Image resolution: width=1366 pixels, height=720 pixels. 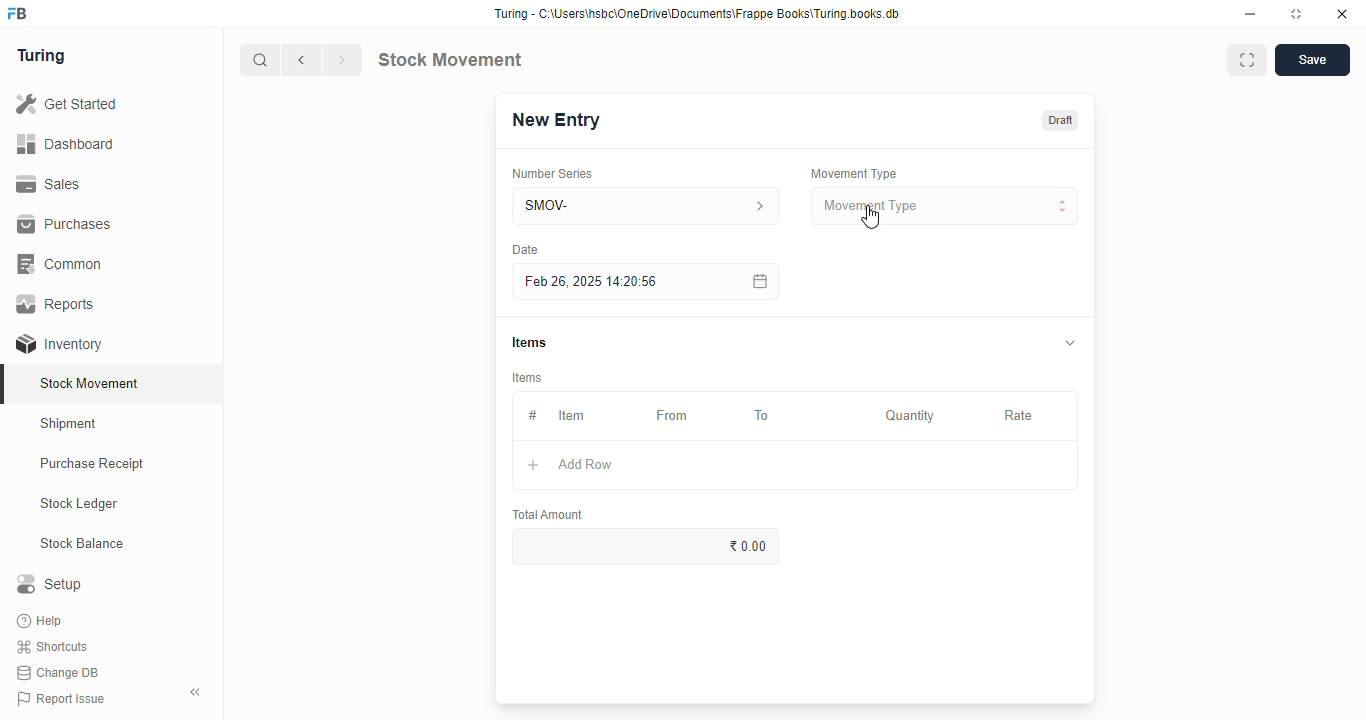 I want to click on FB-logo, so click(x=17, y=13).